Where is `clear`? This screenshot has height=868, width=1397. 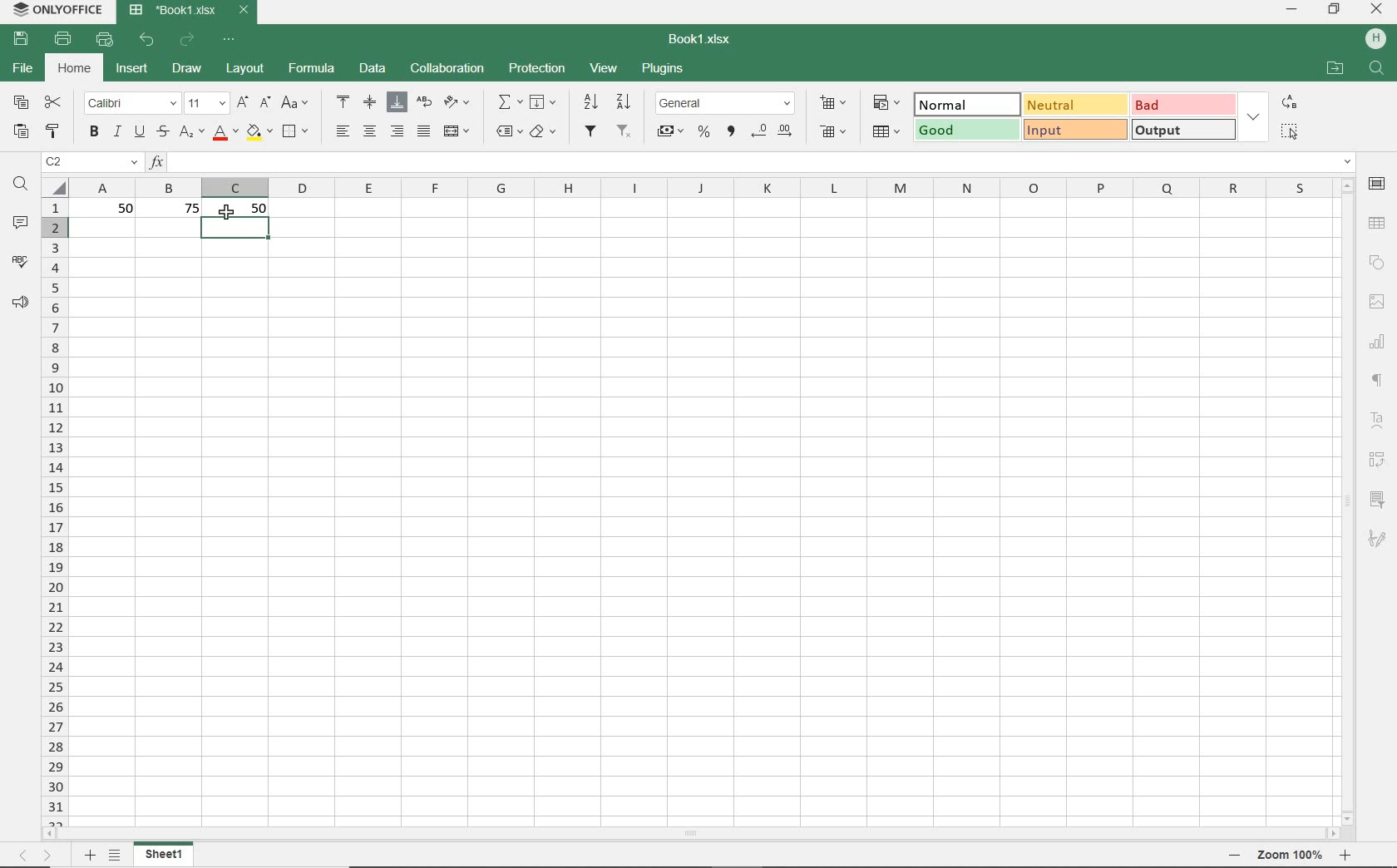
clear is located at coordinates (544, 131).